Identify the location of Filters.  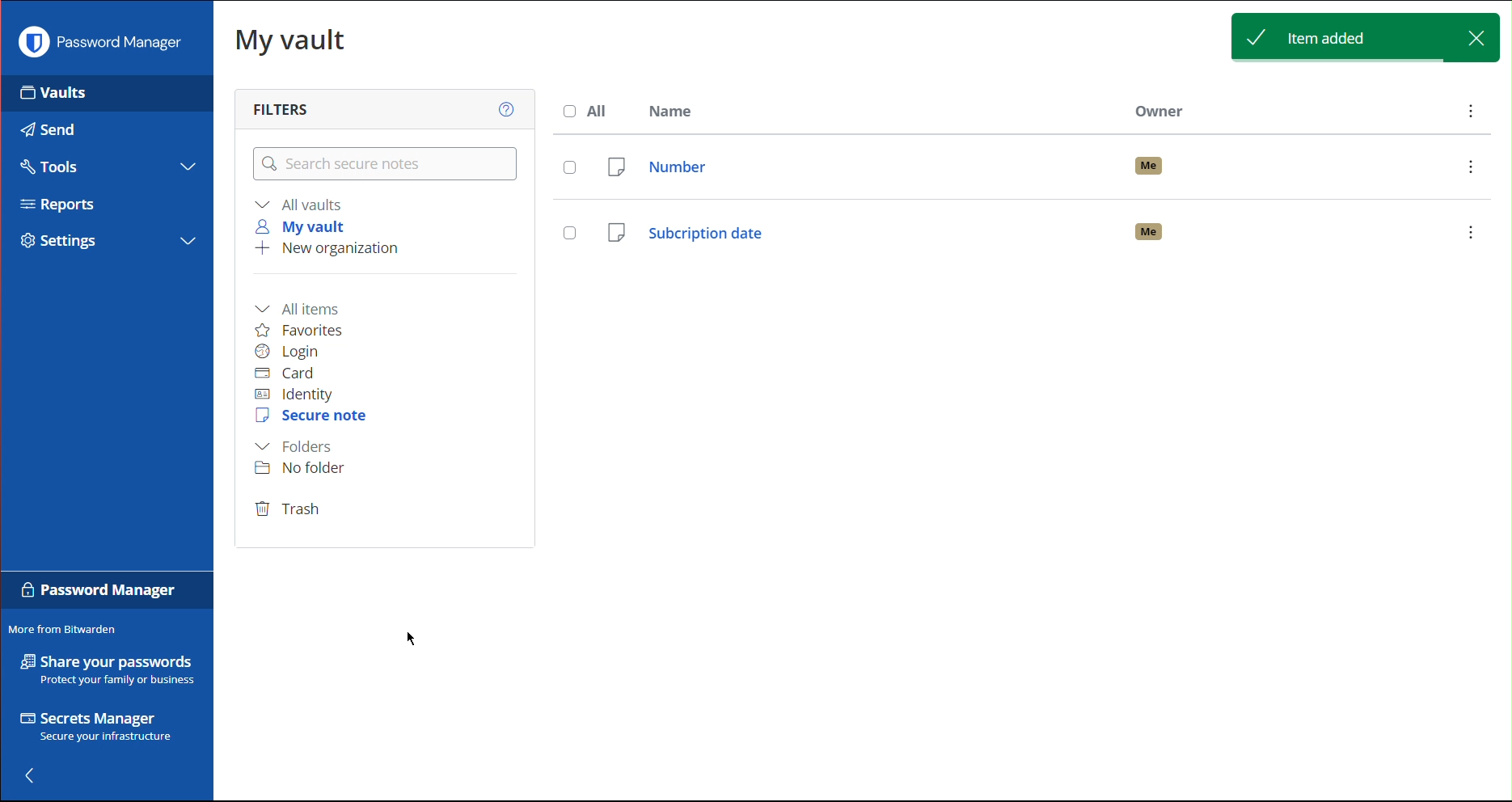
(285, 108).